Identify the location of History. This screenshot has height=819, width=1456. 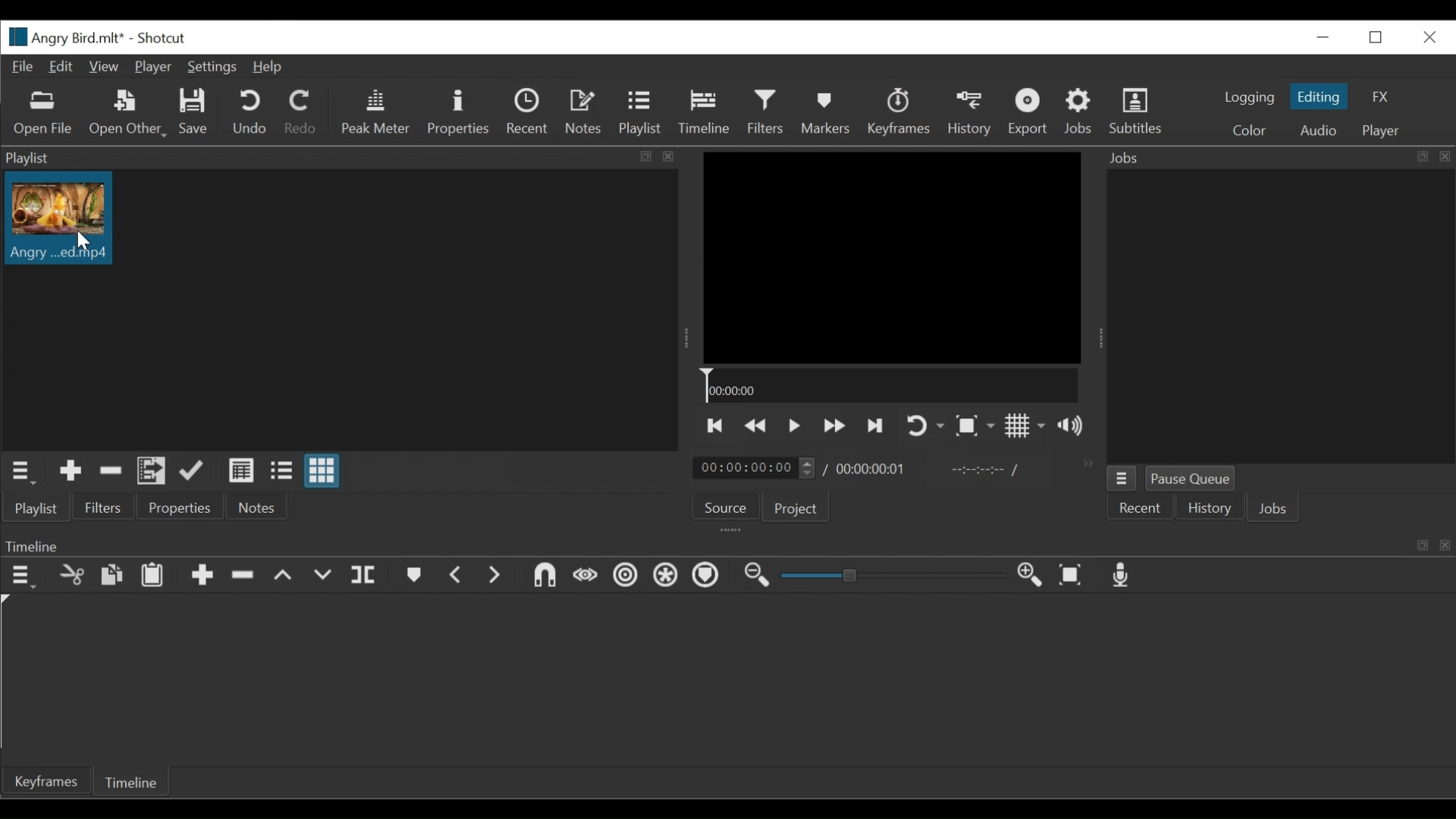
(1210, 510).